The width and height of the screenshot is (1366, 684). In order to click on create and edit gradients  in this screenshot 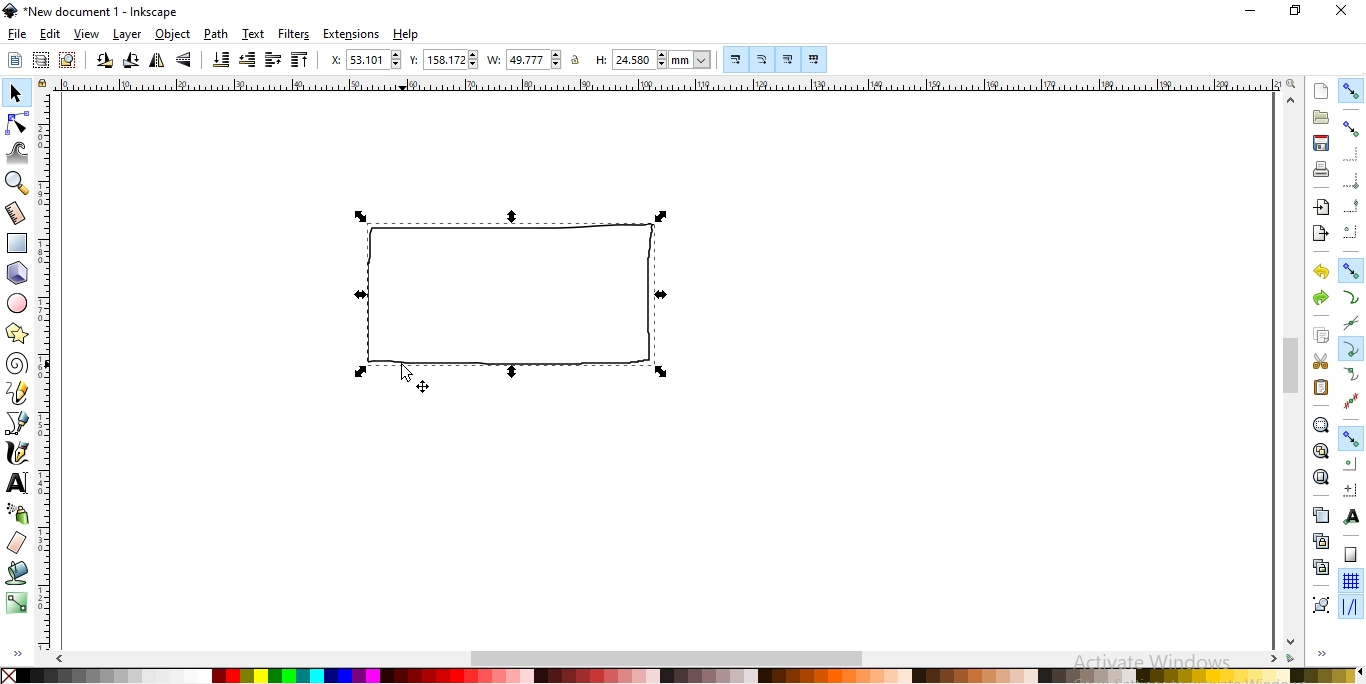, I will do `click(18, 601)`.